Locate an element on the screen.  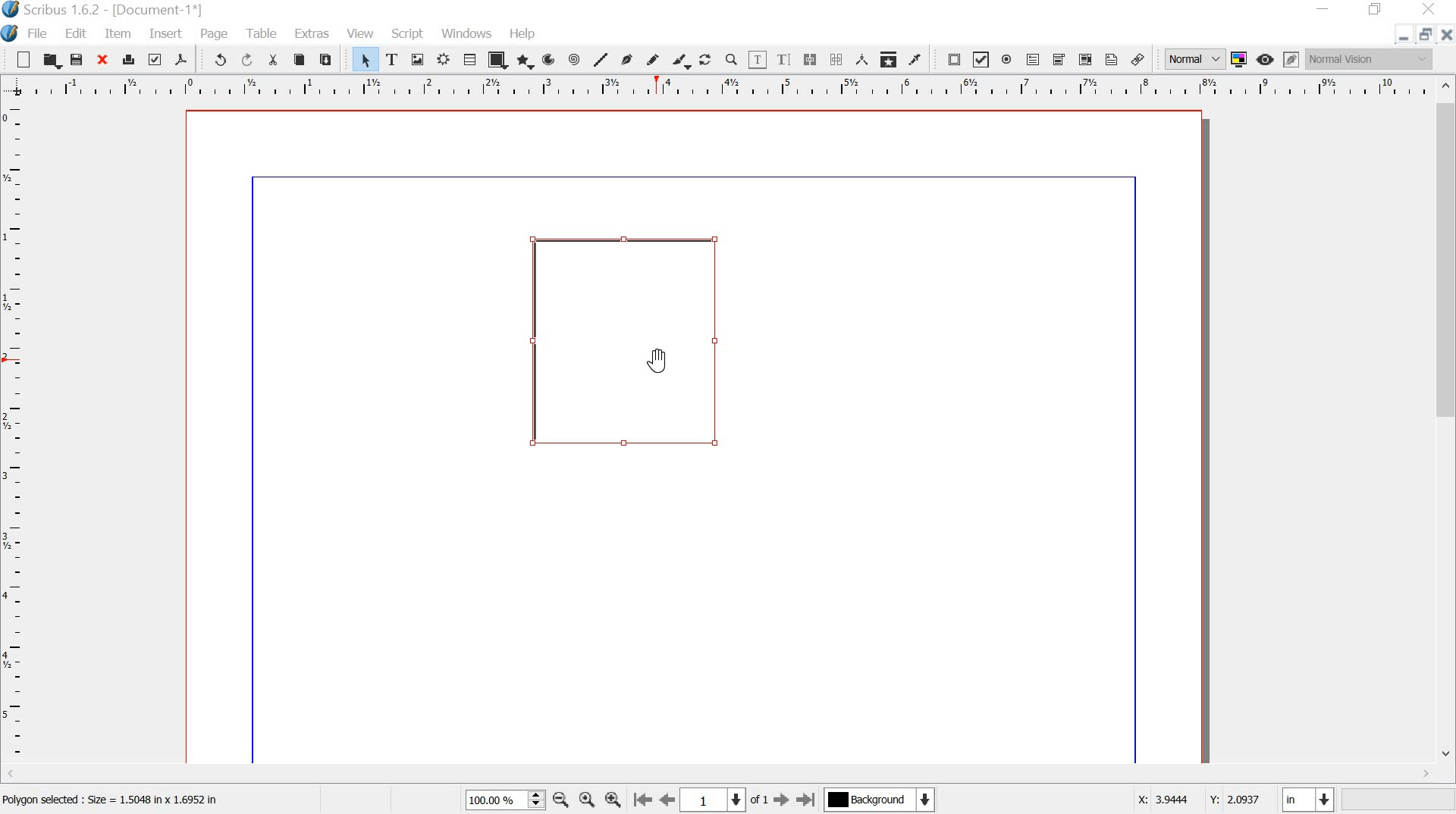
unlink text frames is located at coordinates (836, 60).